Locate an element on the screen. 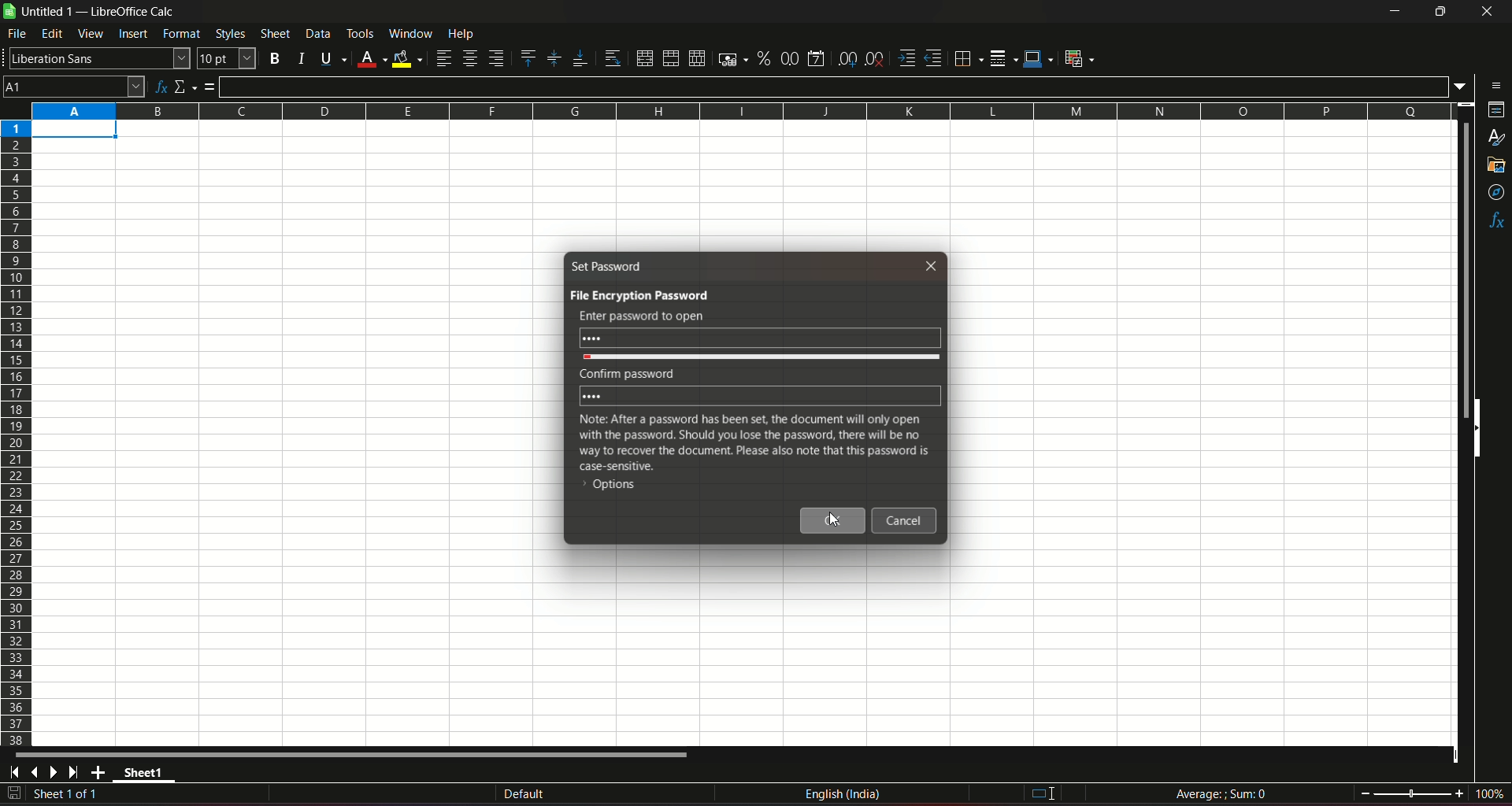  input line is located at coordinates (835, 85).